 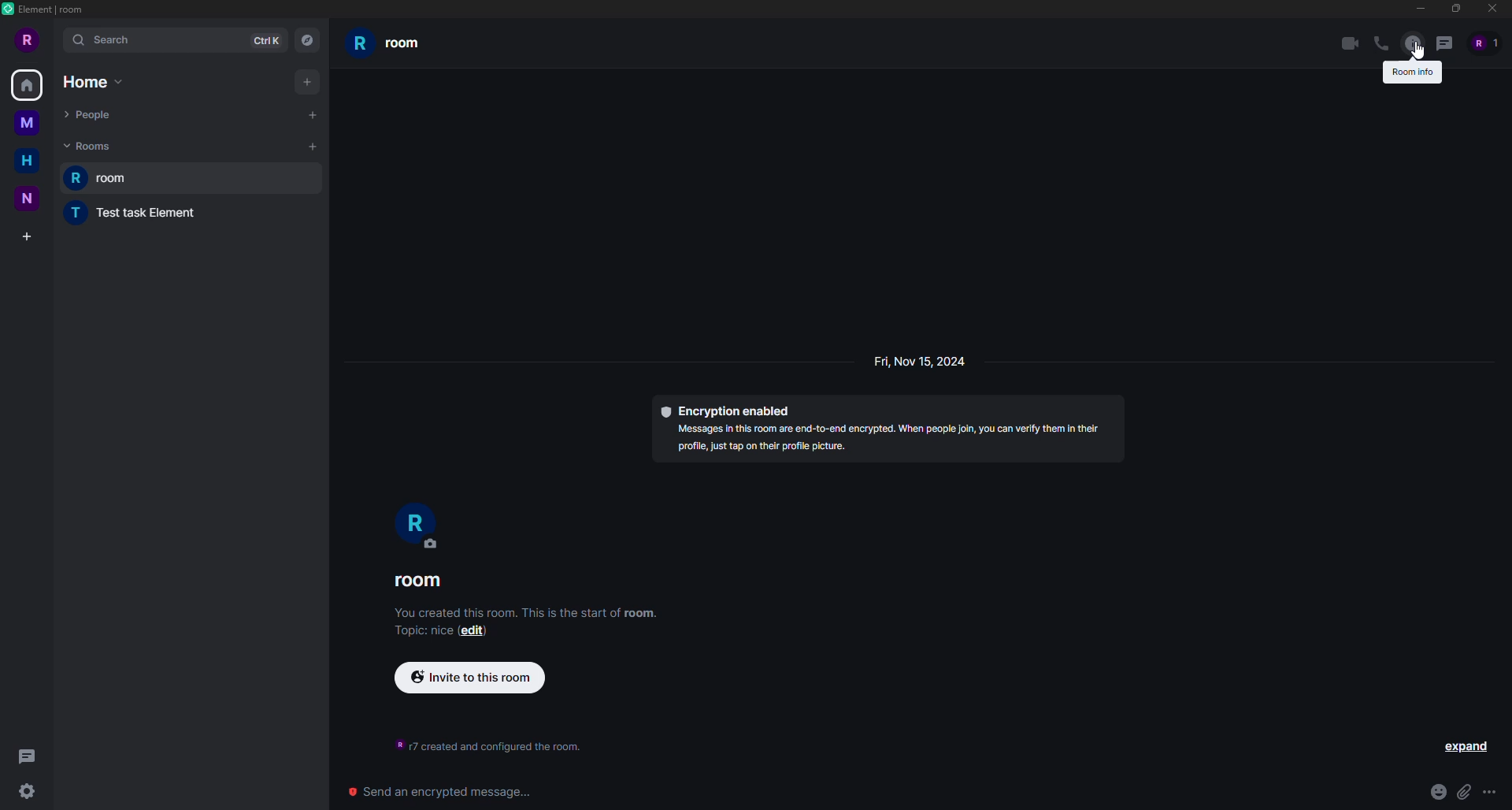 I want to click on attachment, so click(x=1463, y=792).